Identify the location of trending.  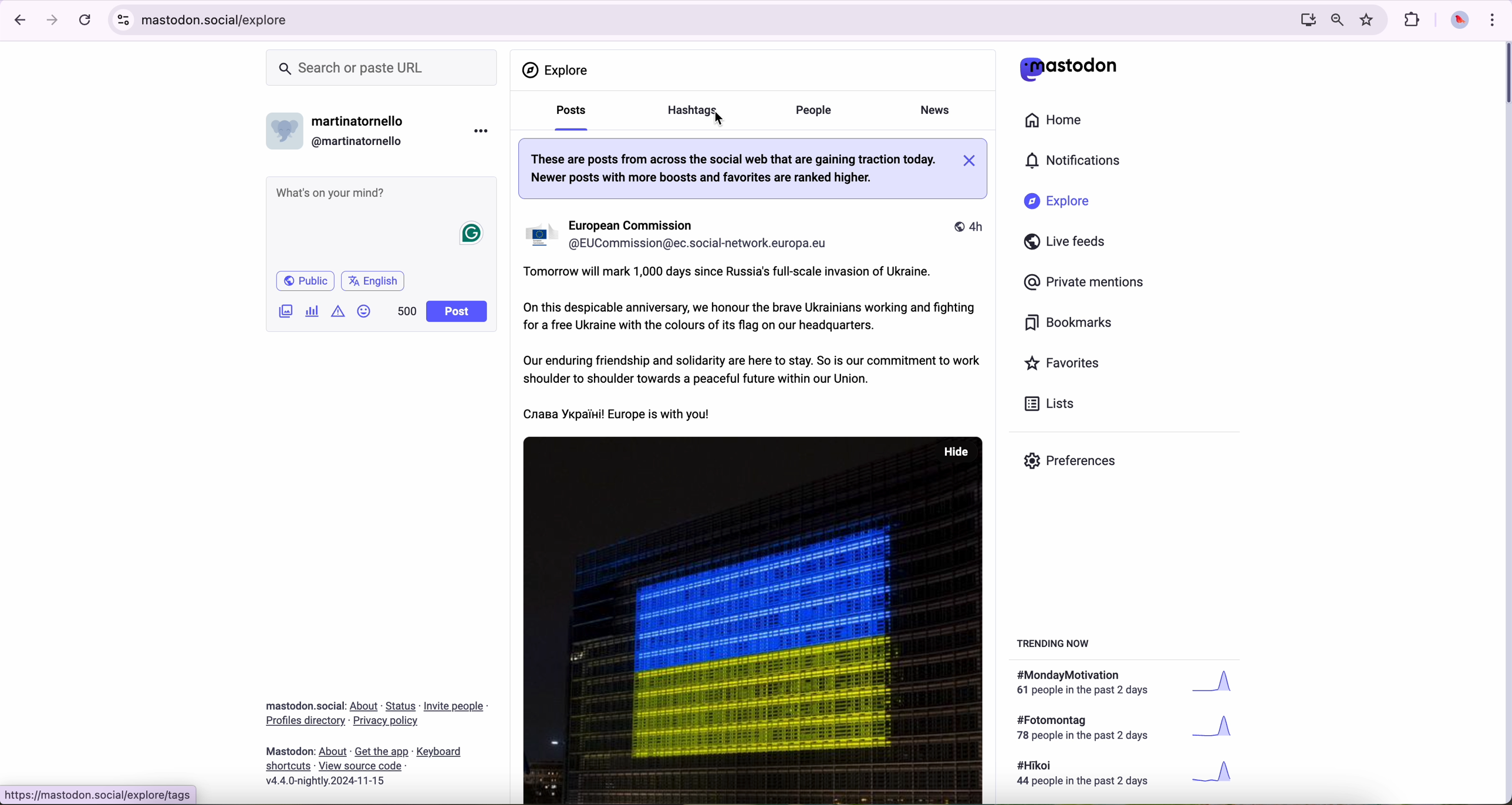
(1057, 646).